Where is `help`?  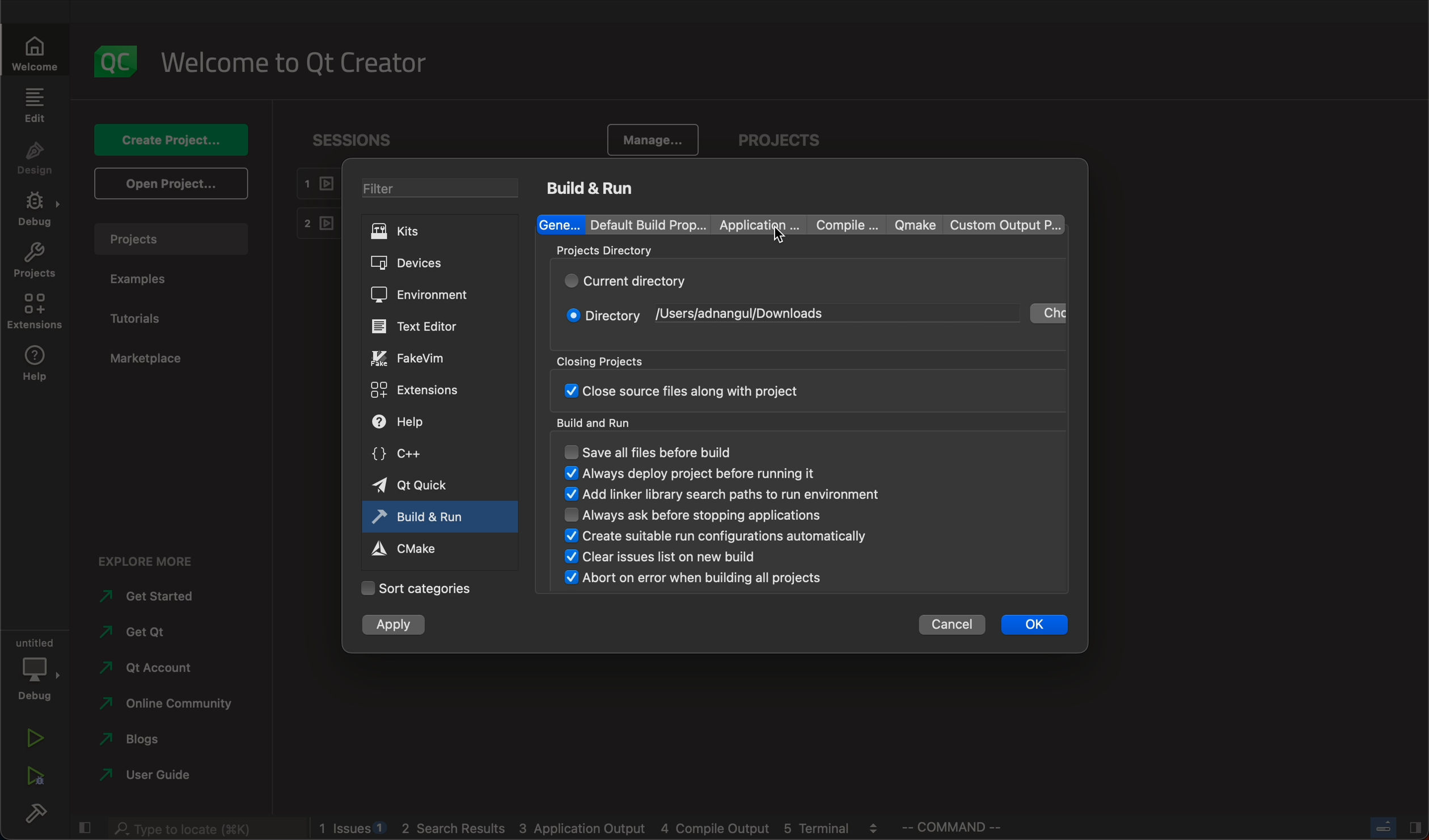
help is located at coordinates (428, 422).